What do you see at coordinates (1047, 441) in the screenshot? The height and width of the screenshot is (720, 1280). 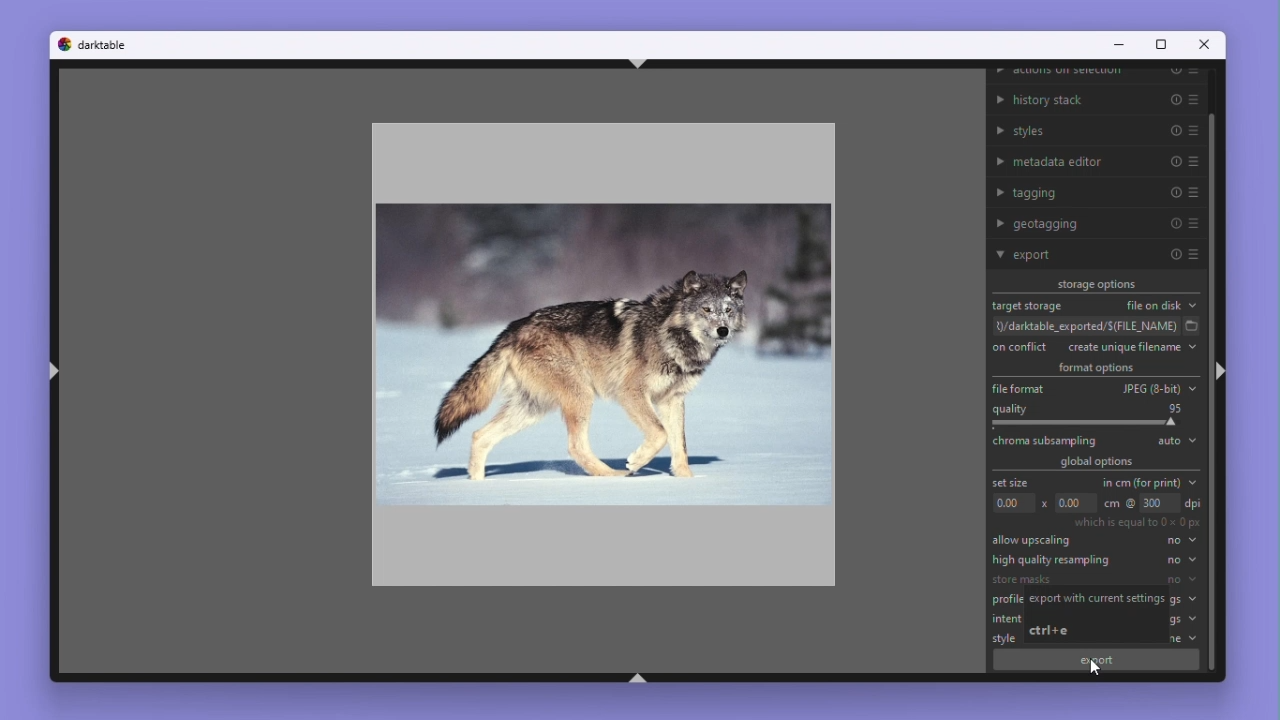 I see `chroma subsampling` at bounding box center [1047, 441].